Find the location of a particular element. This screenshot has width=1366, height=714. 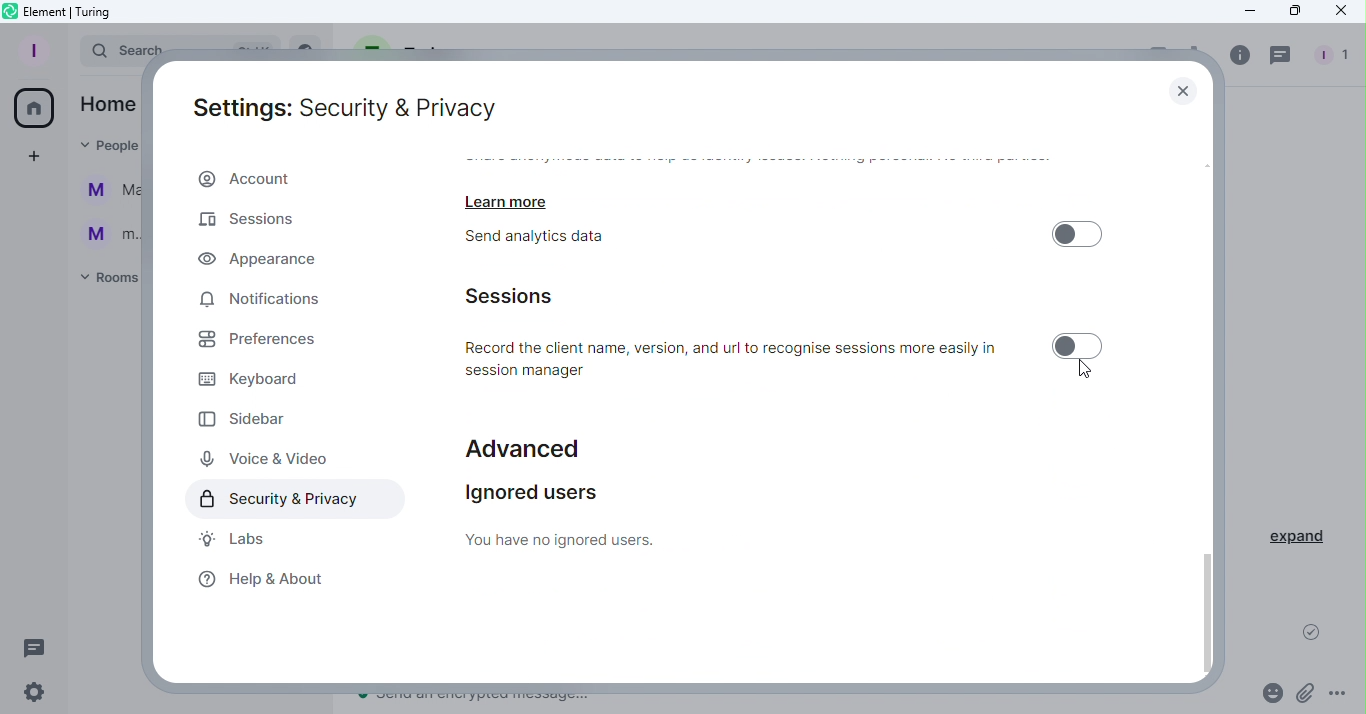

Advanced is located at coordinates (524, 442).